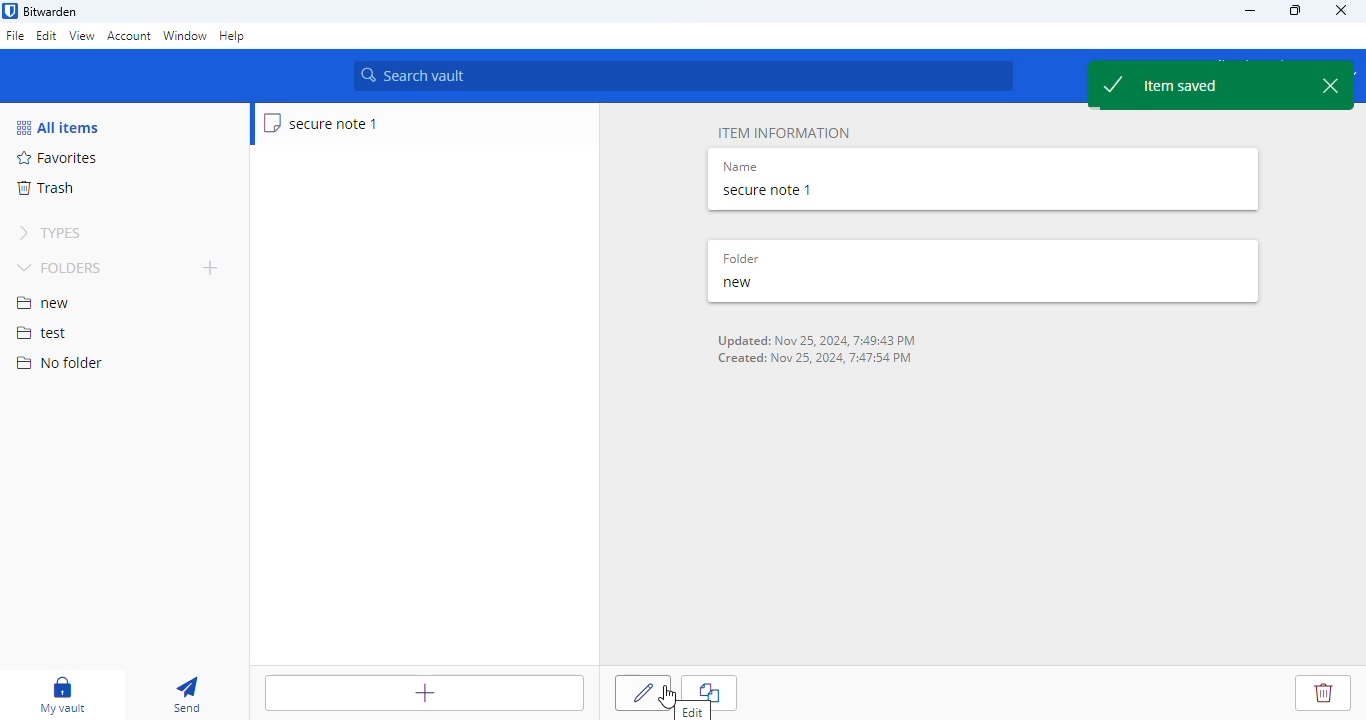 This screenshot has height=720, width=1366. I want to click on view, so click(81, 35).